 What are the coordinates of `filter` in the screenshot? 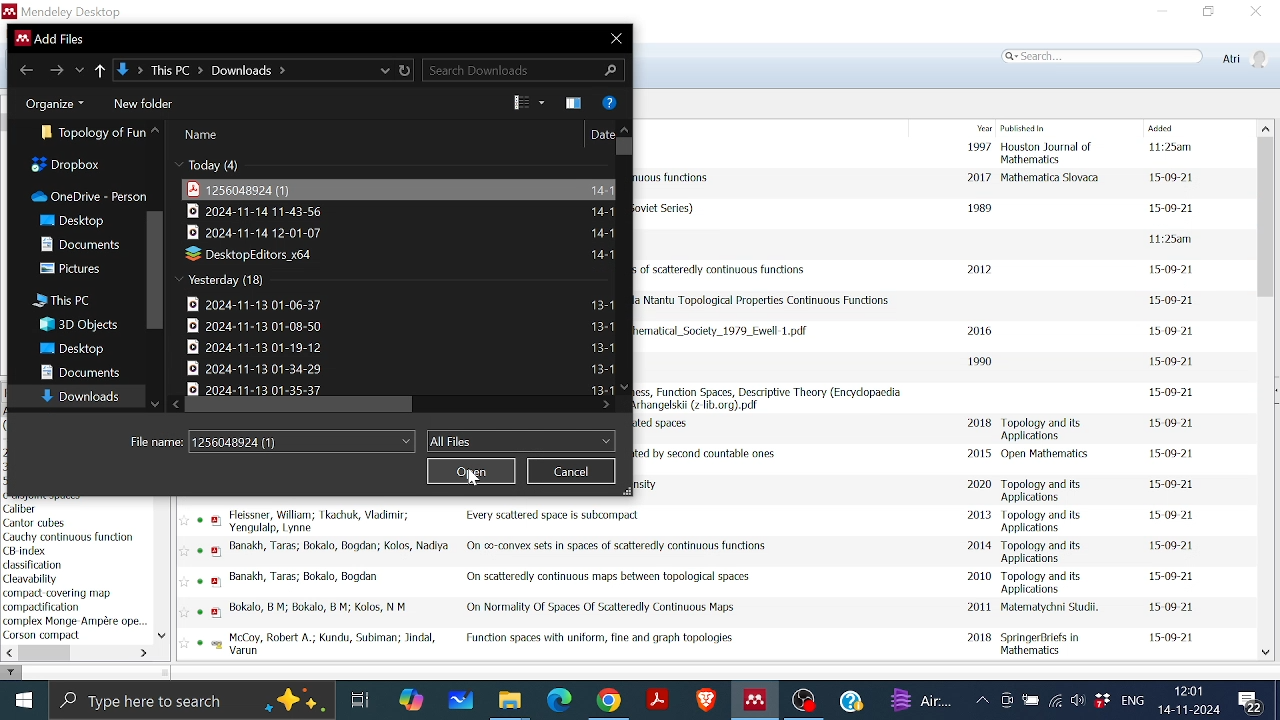 It's located at (11, 673).